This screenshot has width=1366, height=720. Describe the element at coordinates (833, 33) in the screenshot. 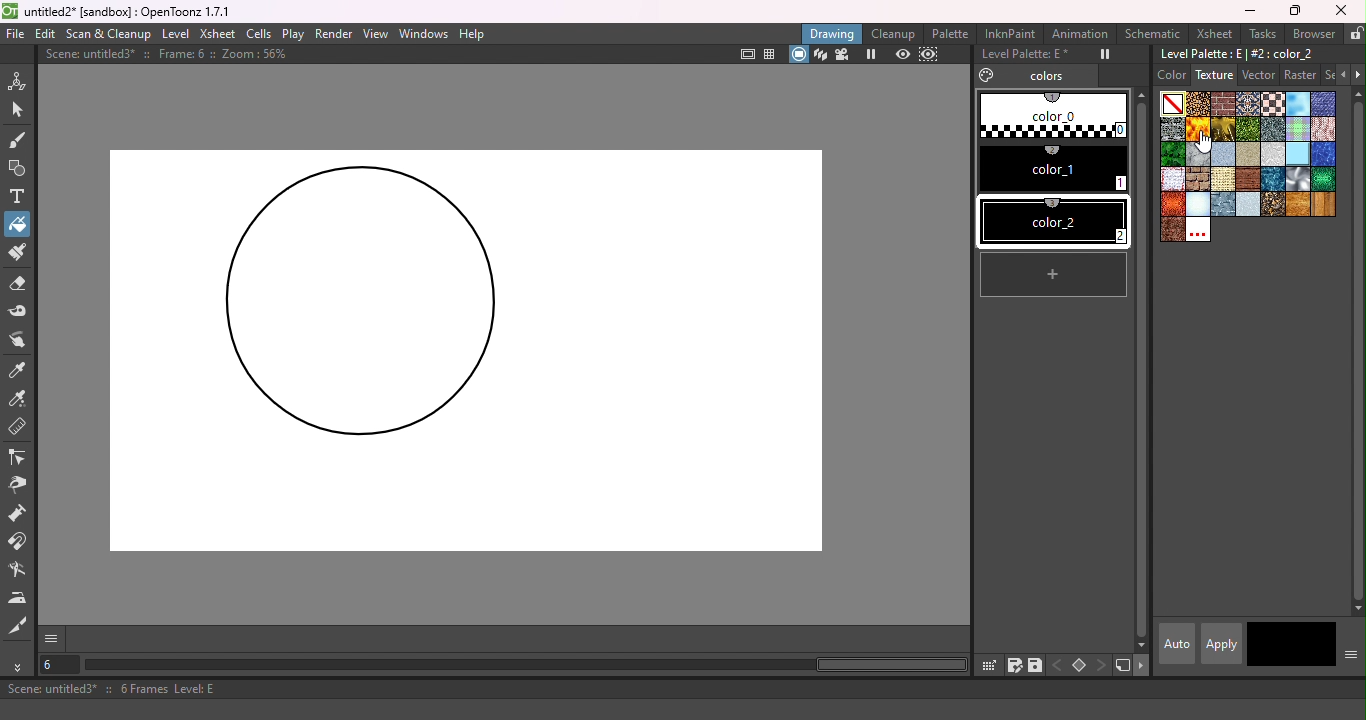

I see `Drawing` at that location.